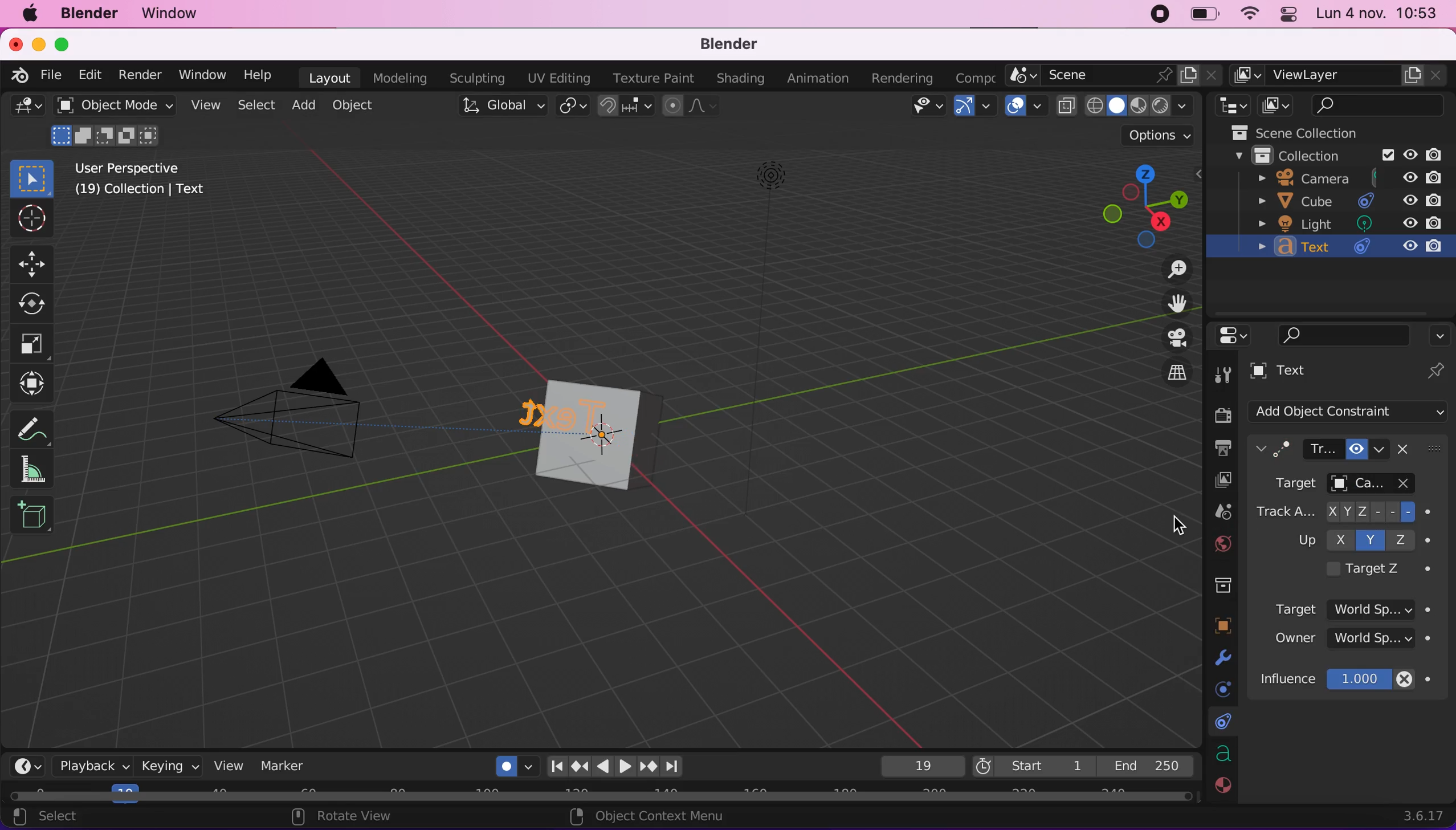  I want to click on measure, so click(39, 470).